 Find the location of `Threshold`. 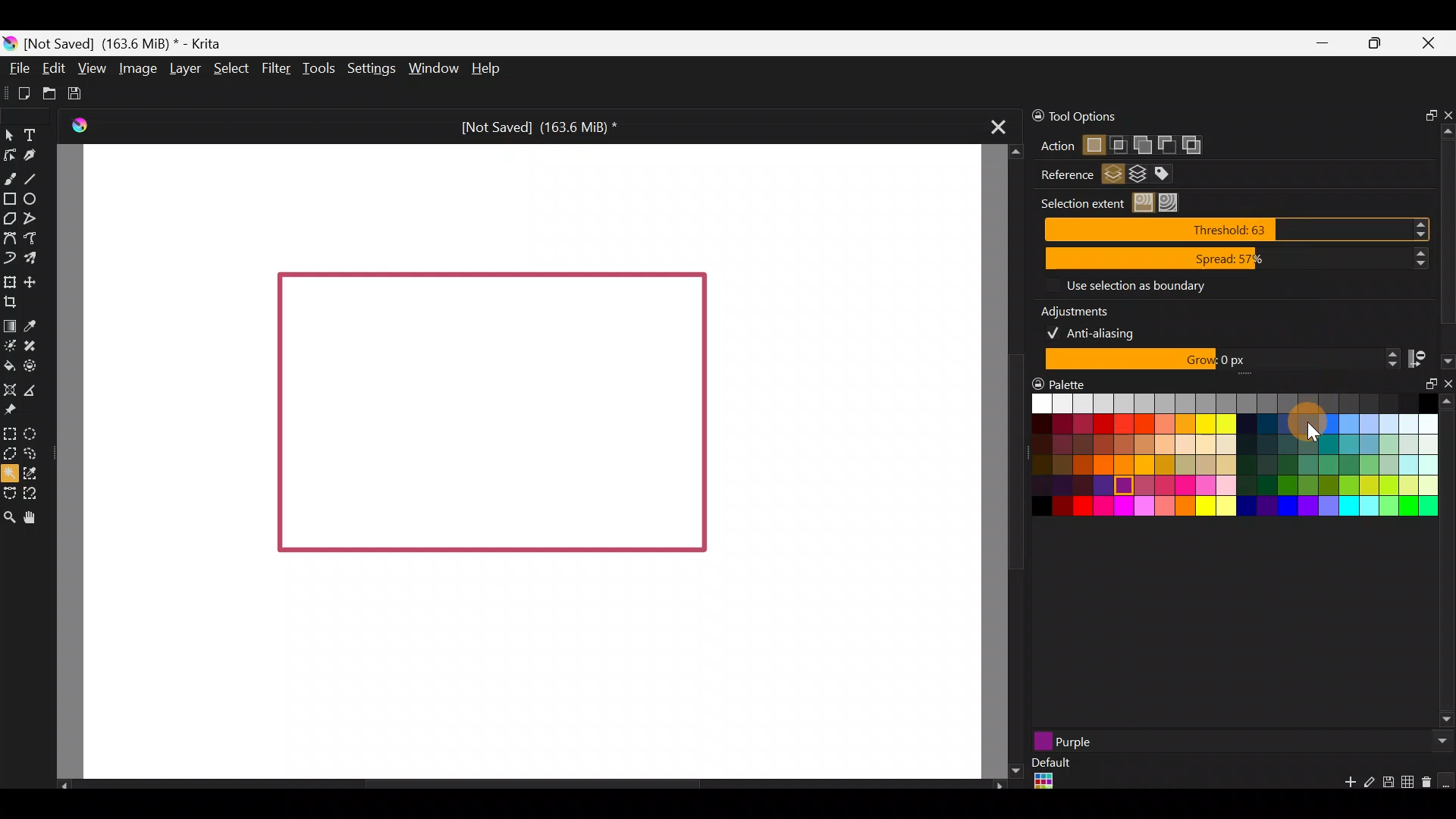

Threshold is located at coordinates (1241, 229).